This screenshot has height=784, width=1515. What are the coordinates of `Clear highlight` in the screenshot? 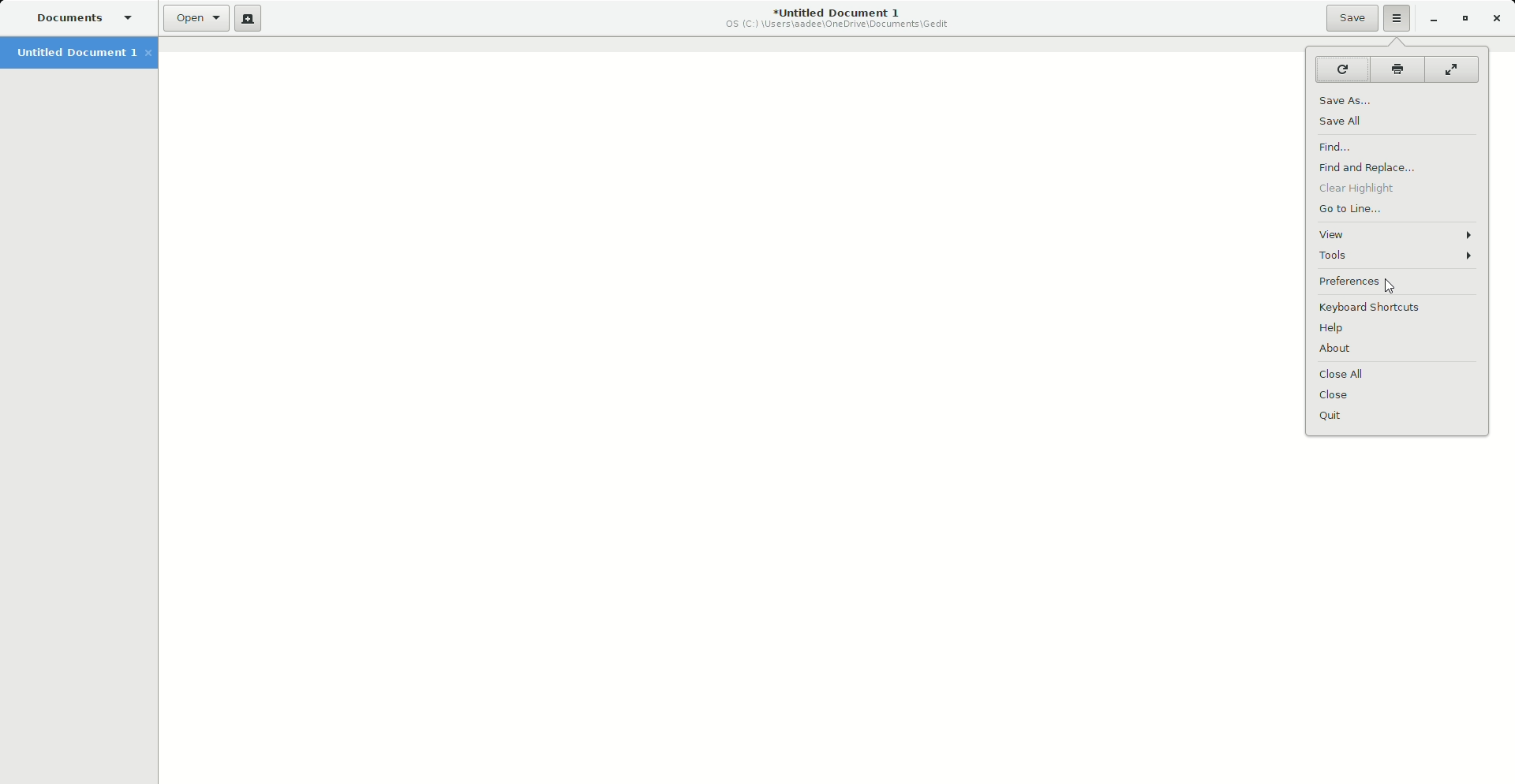 It's located at (1363, 189).